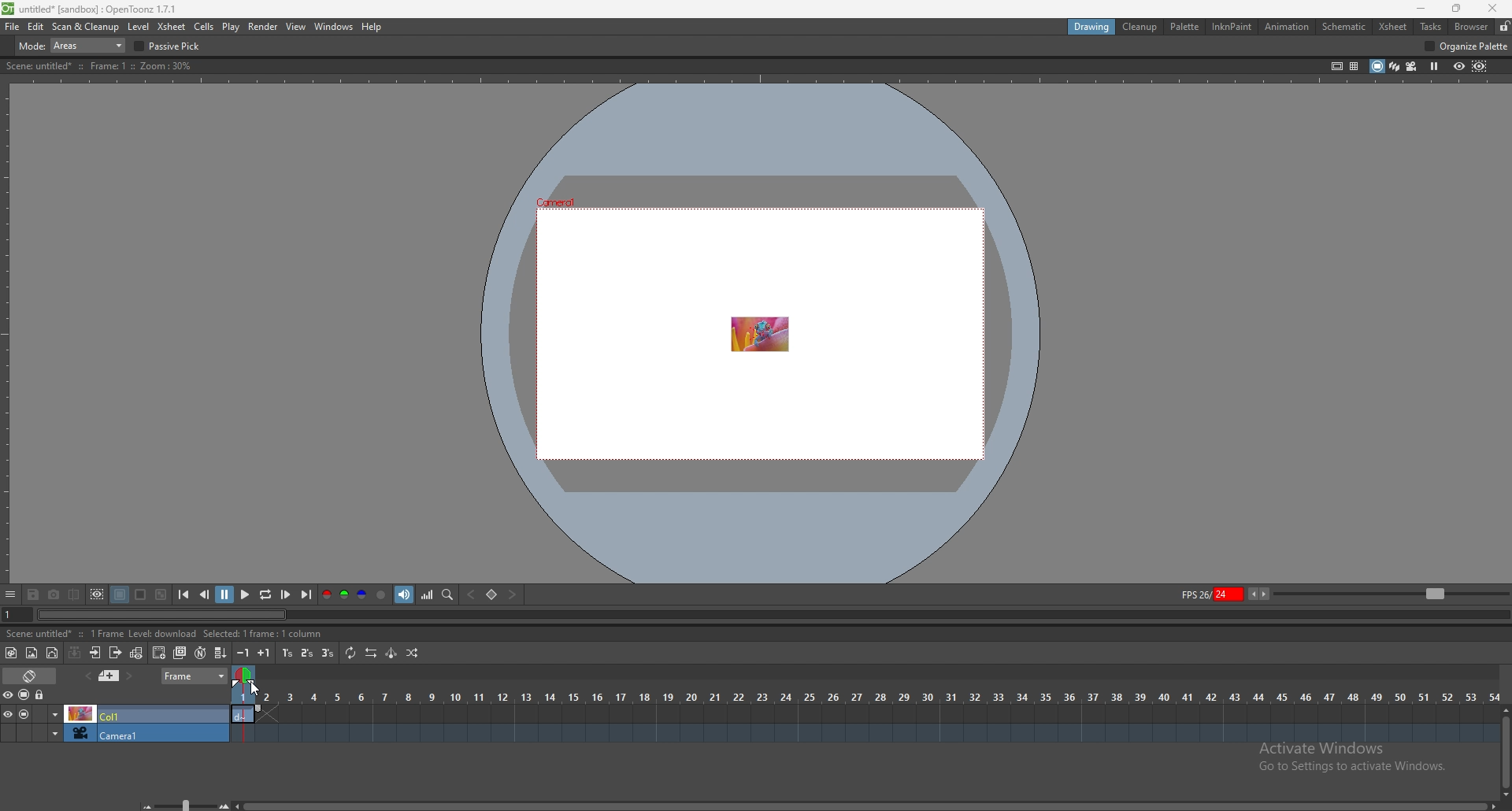 The width and height of the screenshot is (1512, 811). Describe the element at coordinates (1467, 46) in the screenshot. I see `organize palette` at that location.